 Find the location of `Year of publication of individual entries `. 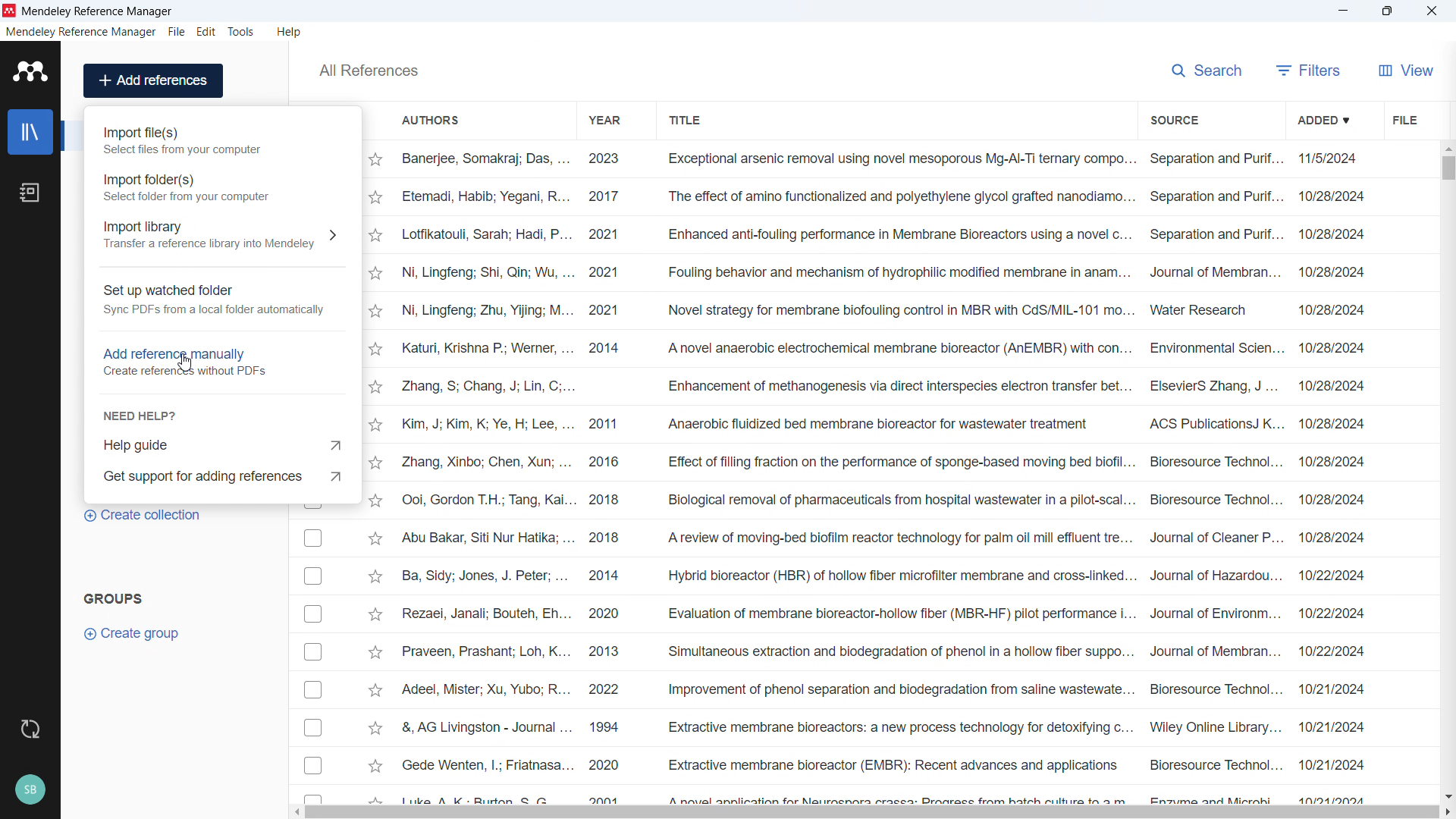

Year of publication of individual entries  is located at coordinates (604, 475).